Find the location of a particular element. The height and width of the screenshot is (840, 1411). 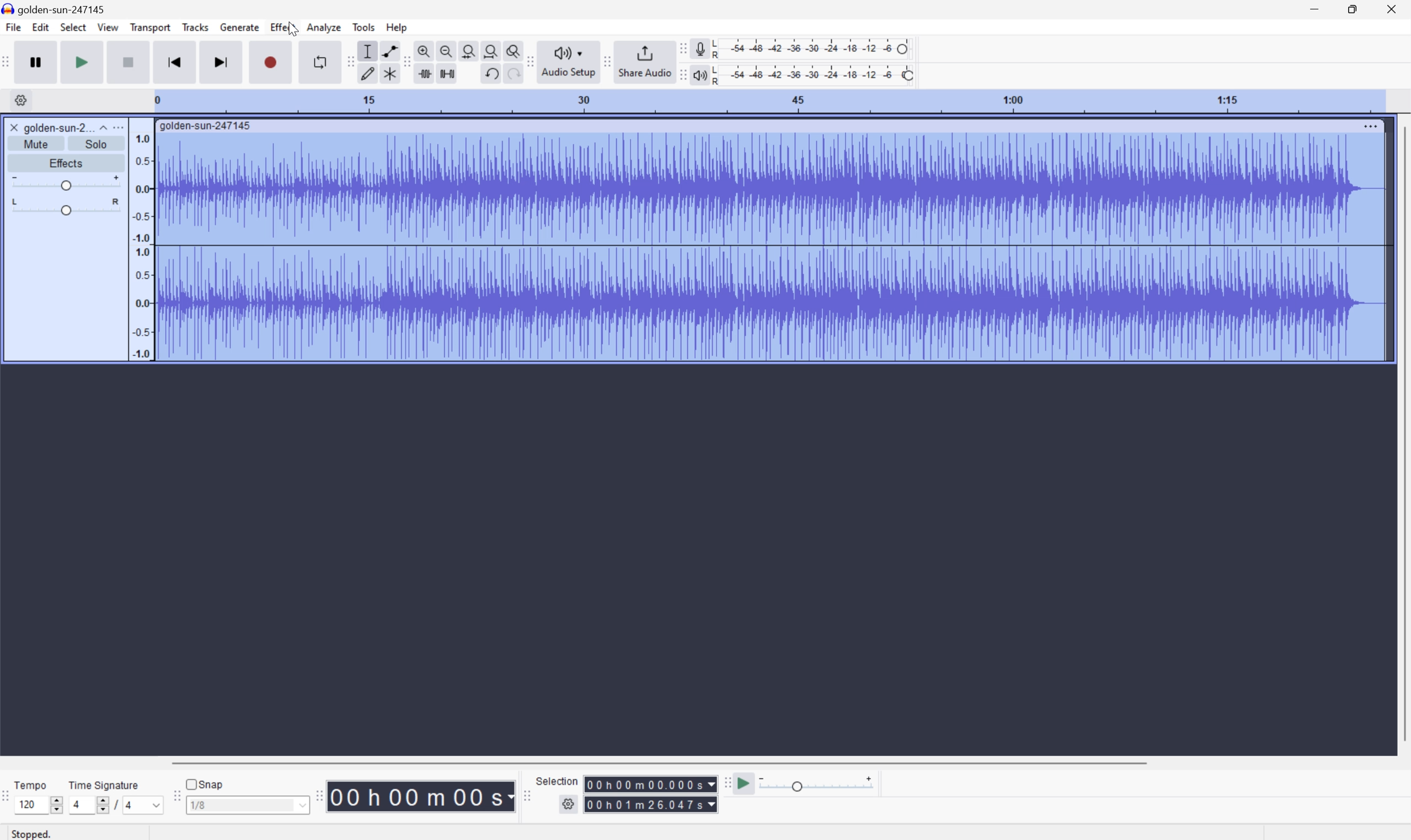

Audacity time signature toolbar is located at coordinates (9, 802).